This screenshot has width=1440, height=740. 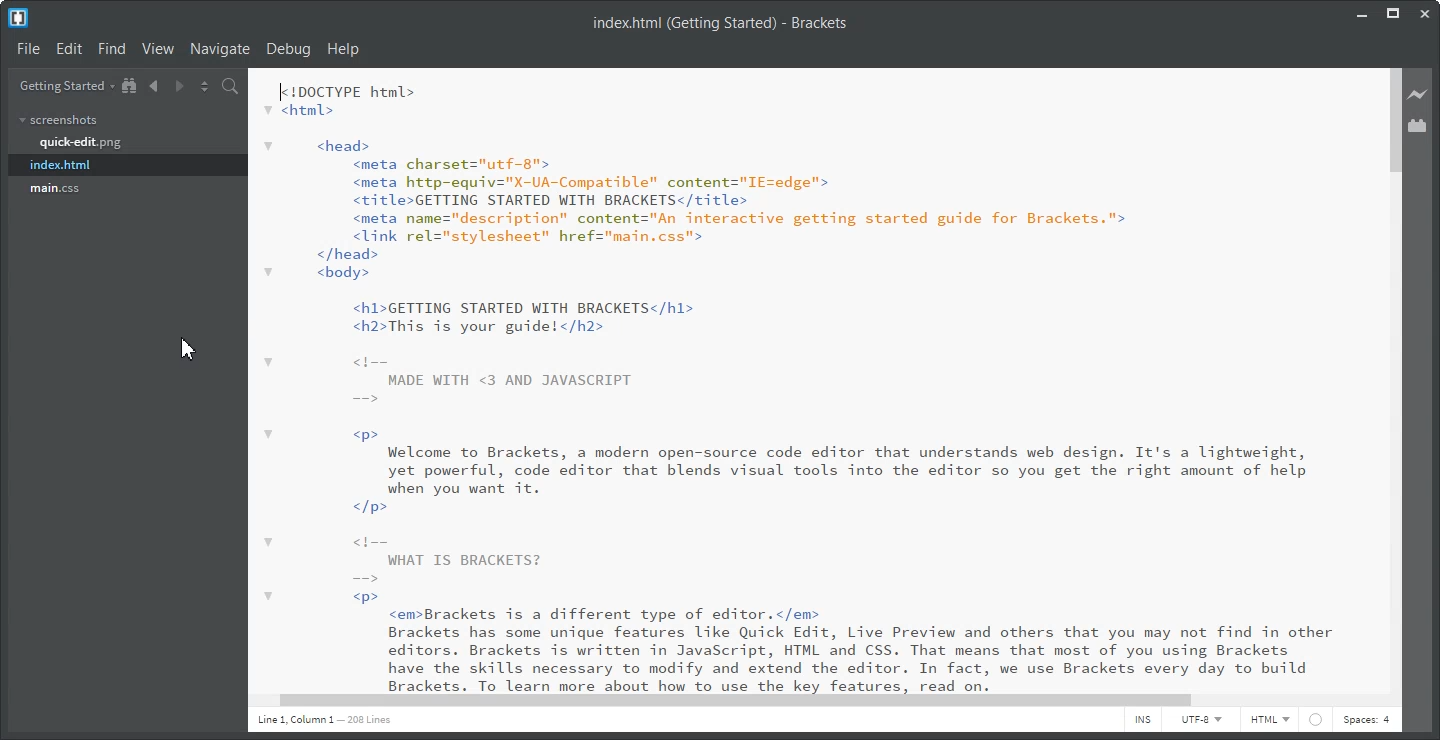 I want to click on Navigate, so click(x=221, y=50).